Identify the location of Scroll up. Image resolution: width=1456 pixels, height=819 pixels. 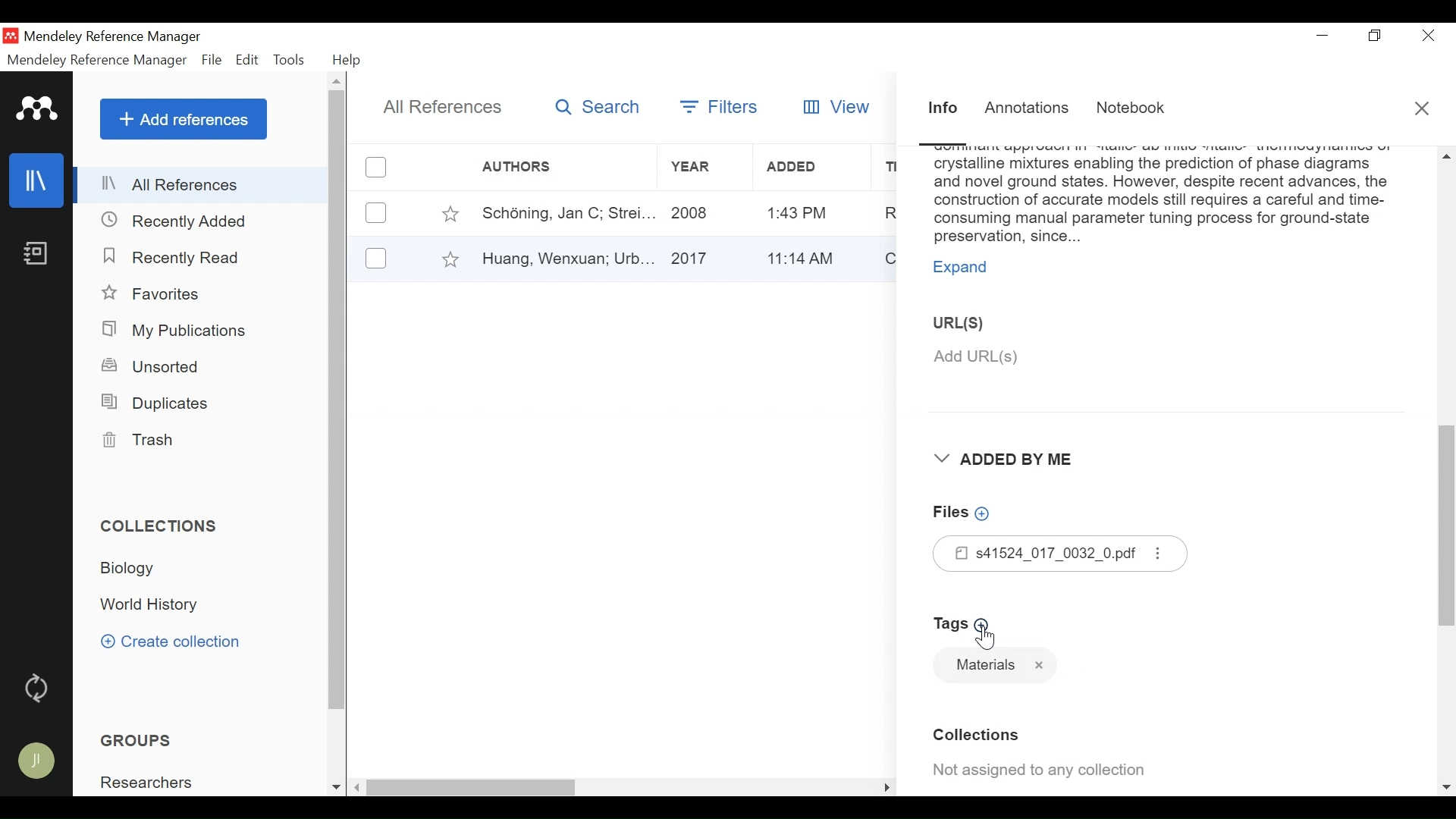
(337, 80).